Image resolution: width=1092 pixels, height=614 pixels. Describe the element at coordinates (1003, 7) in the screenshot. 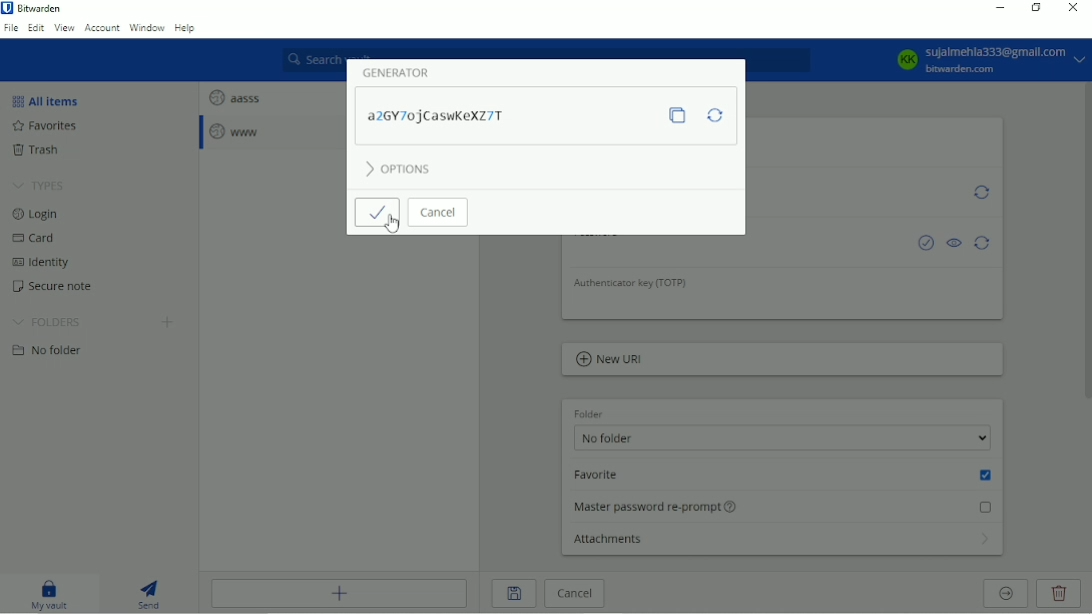

I see `Minimize` at that location.